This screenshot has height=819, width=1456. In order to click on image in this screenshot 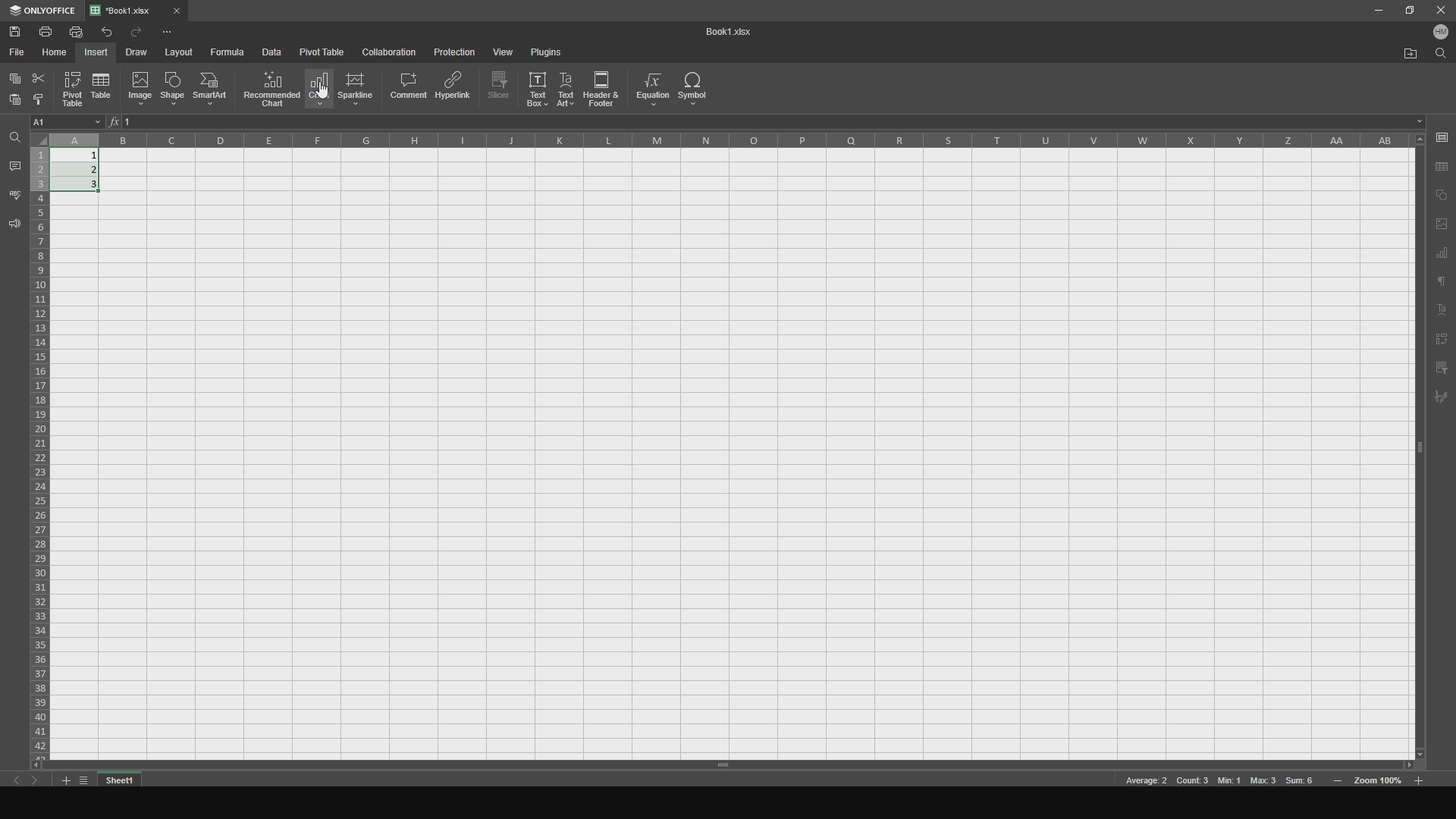, I will do `click(137, 90)`.